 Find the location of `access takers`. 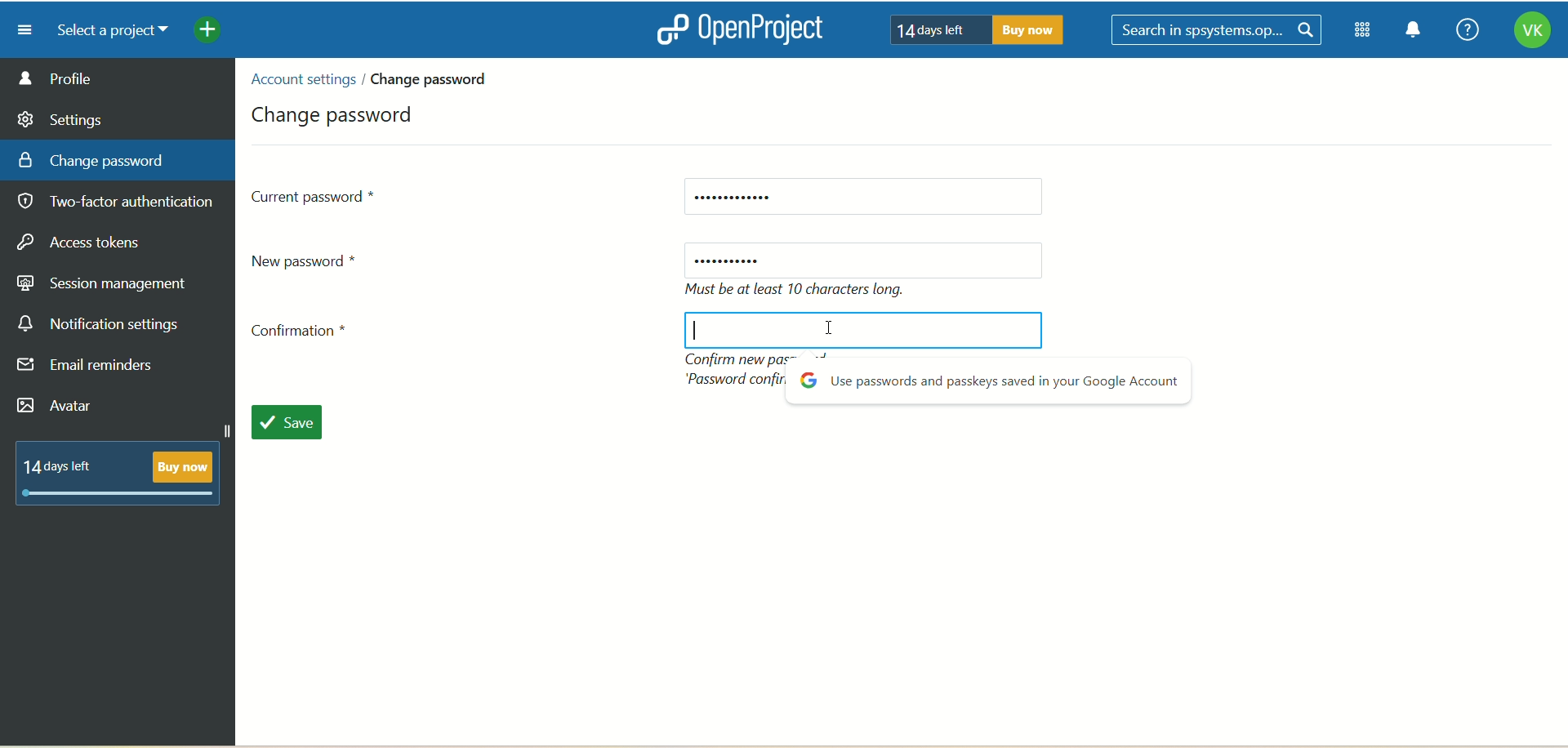

access takers is located at coordinates (86, 243).